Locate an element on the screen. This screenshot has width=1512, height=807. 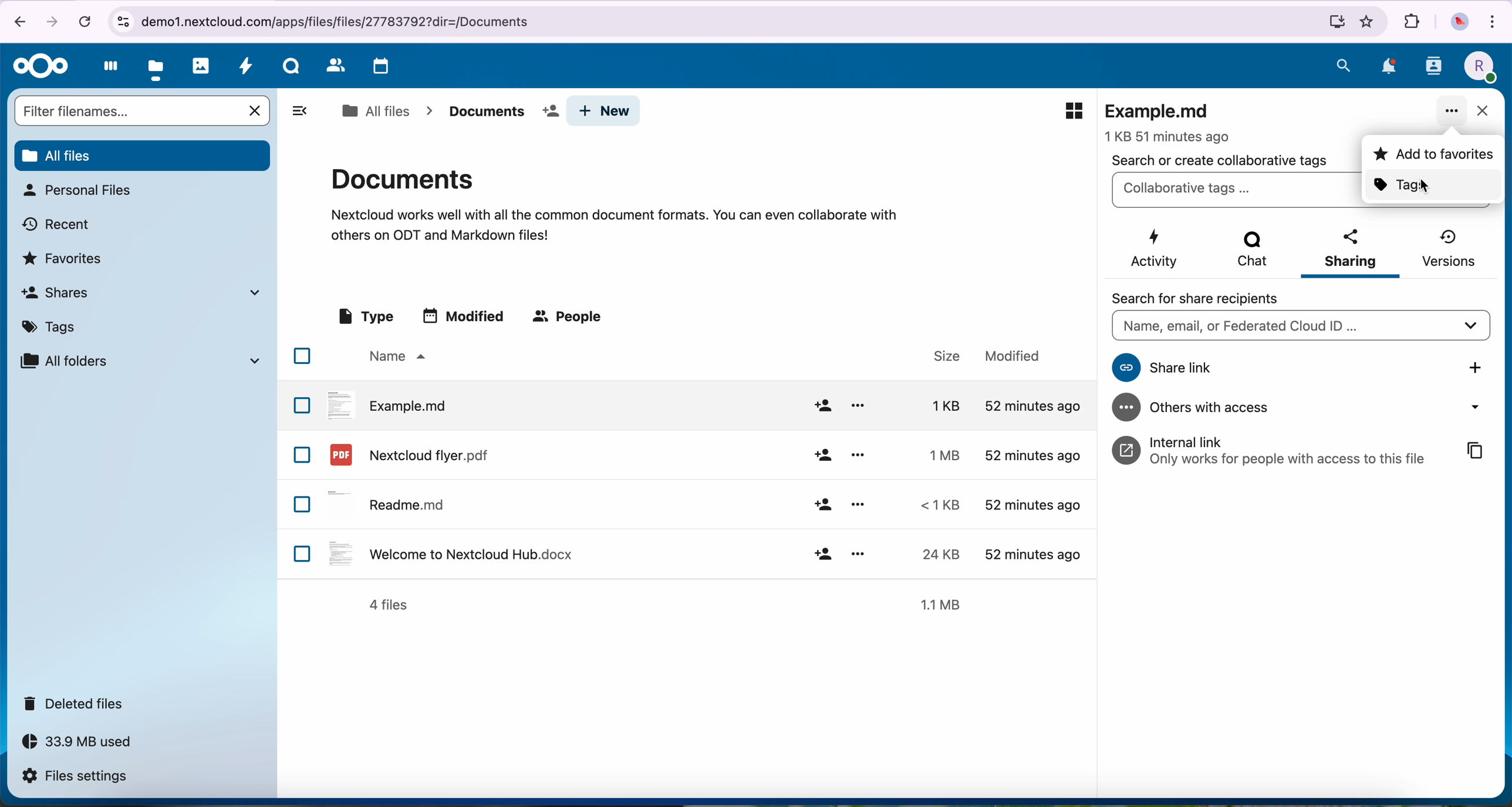
copy is located at coordinates (1476, 452).